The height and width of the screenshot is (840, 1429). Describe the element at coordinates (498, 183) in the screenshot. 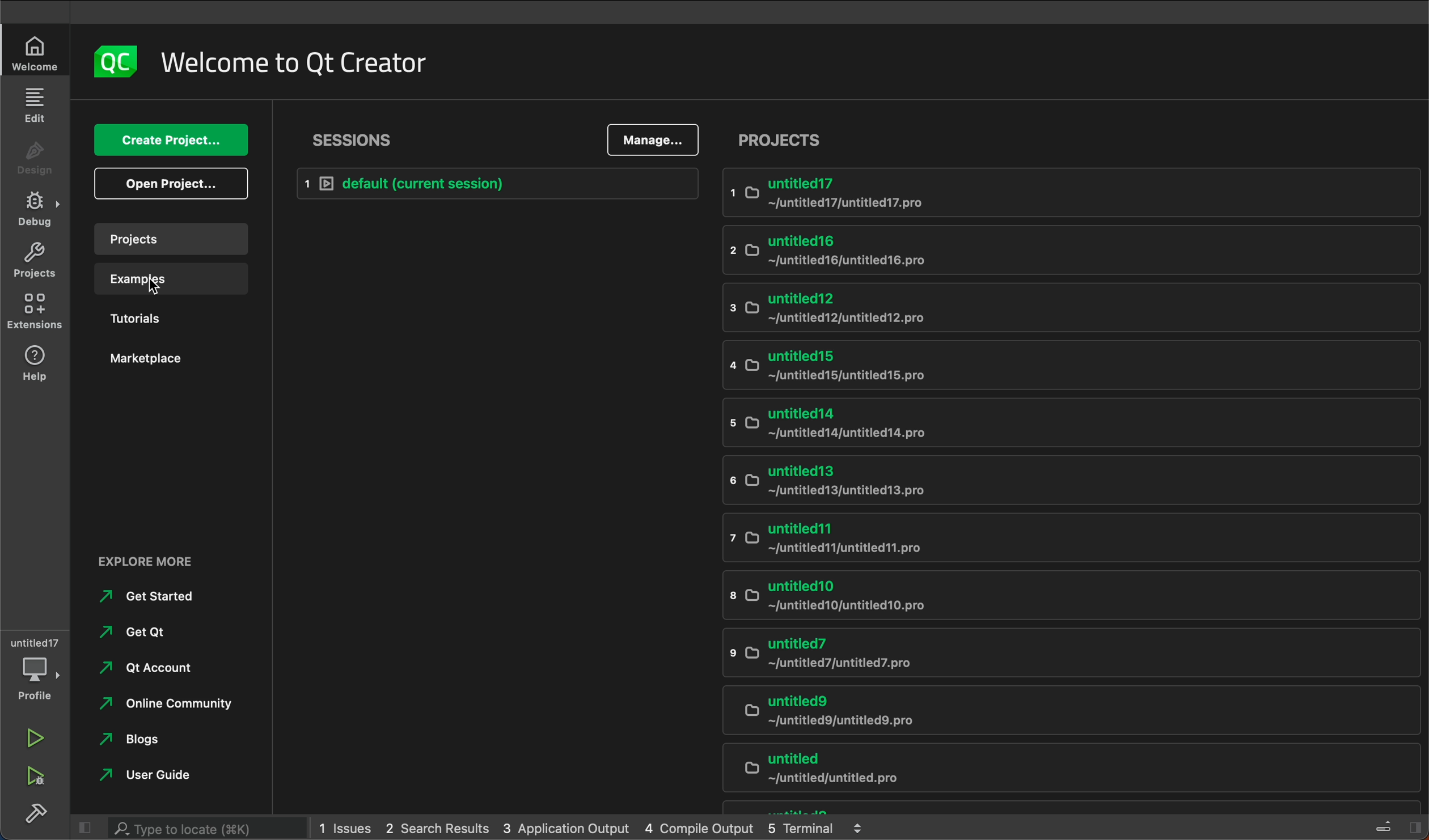

I see `default session` at that location.